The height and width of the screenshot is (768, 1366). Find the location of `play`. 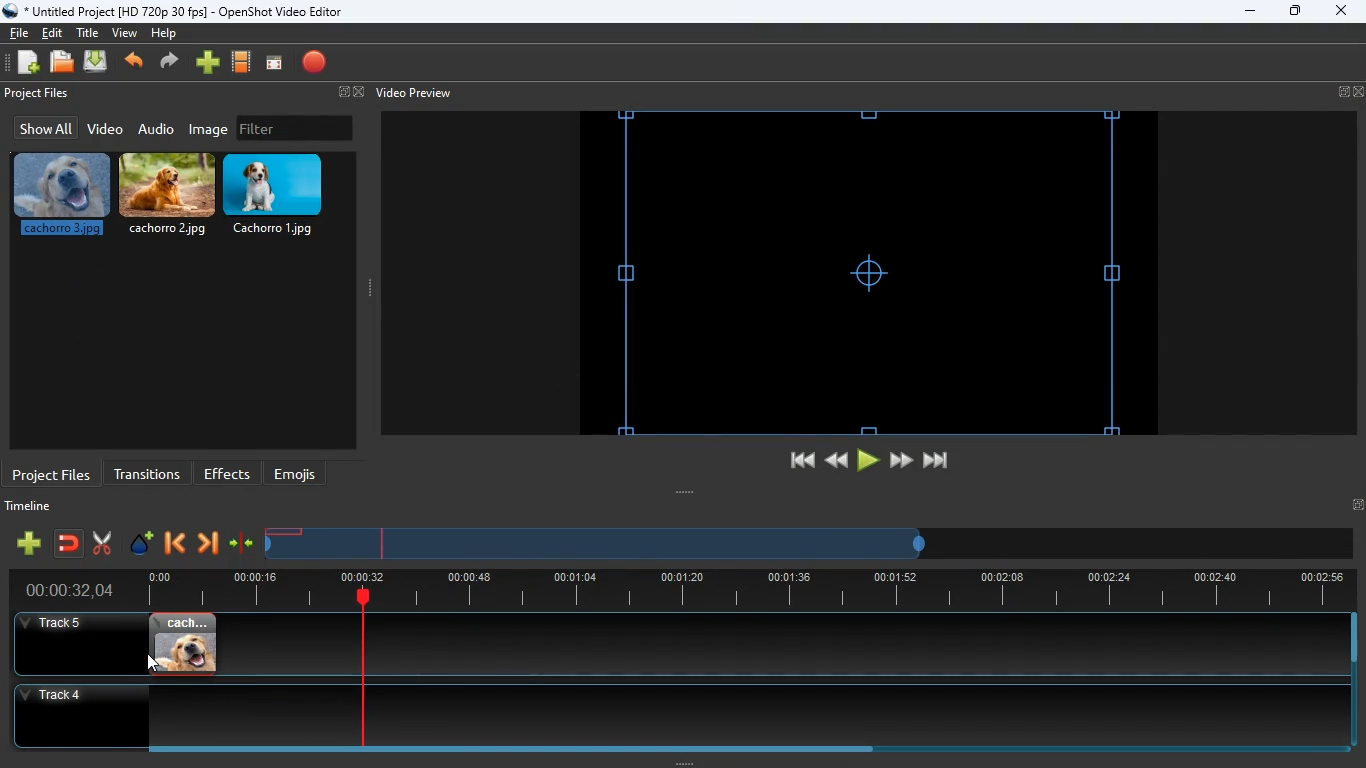

play is located at coordinates (868, 461).